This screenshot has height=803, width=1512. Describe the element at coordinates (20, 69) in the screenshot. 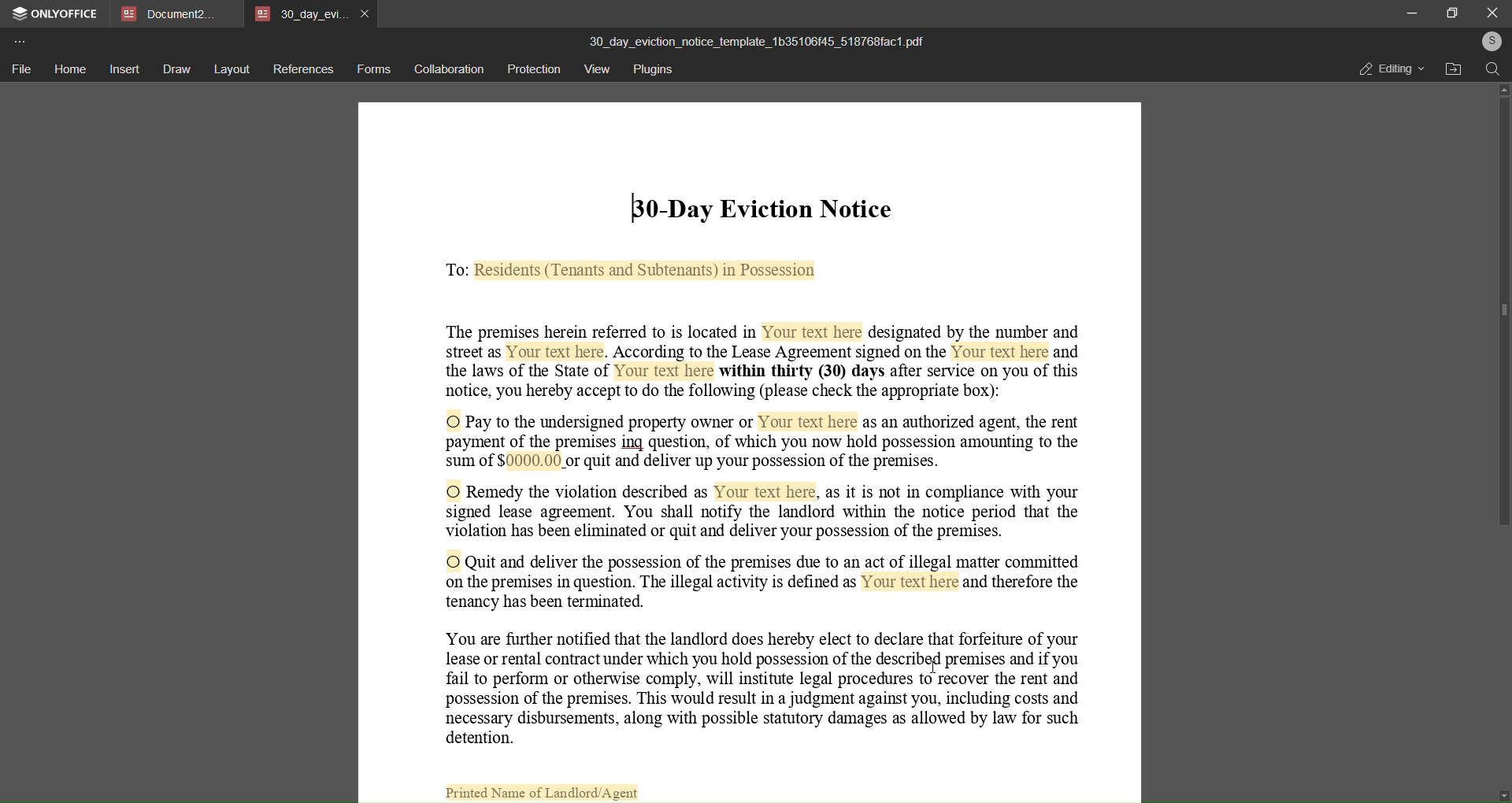

I see `file` at that location.